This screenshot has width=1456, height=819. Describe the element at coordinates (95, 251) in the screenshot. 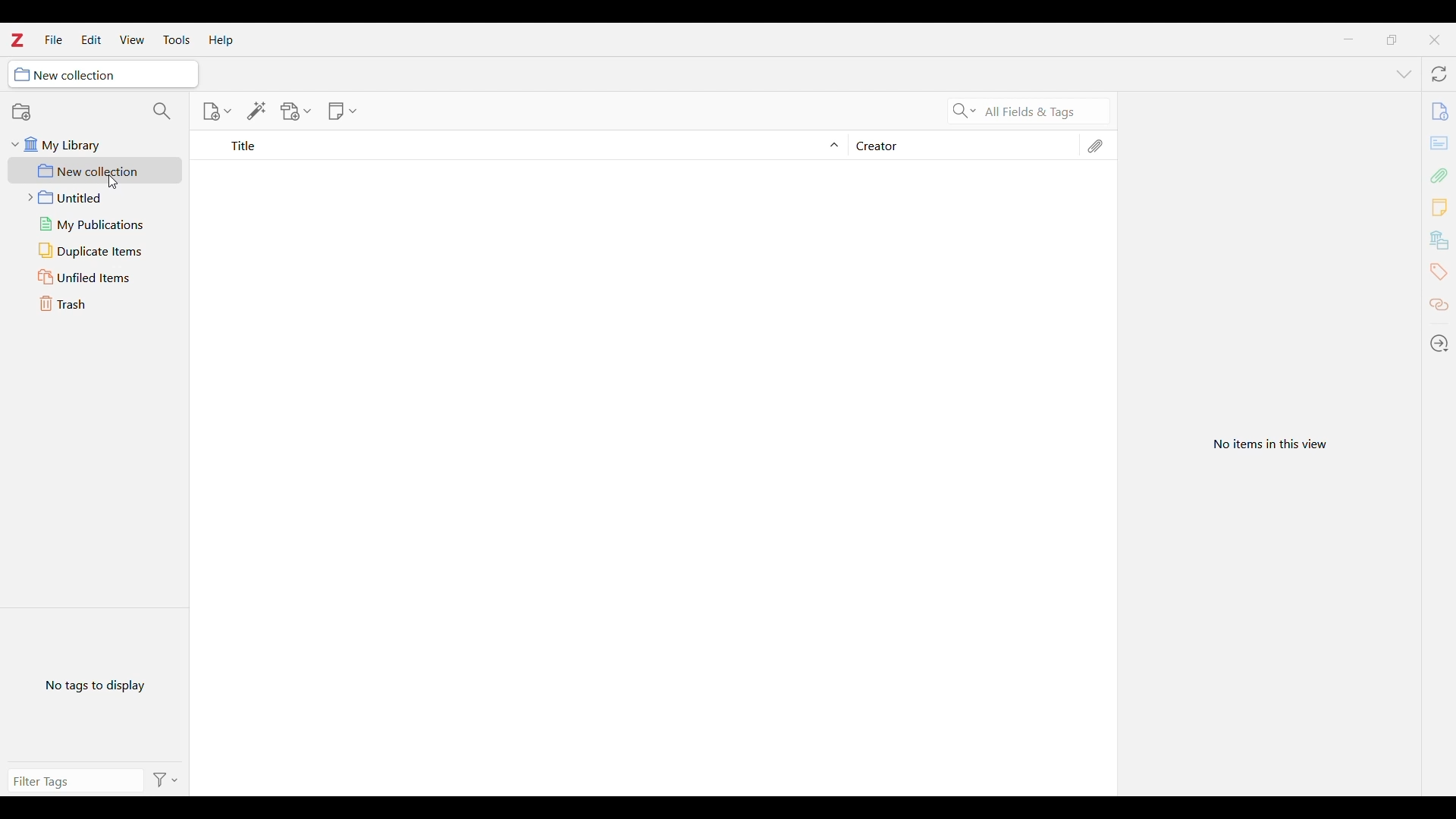

I see `Duplicate items folder` at that location.